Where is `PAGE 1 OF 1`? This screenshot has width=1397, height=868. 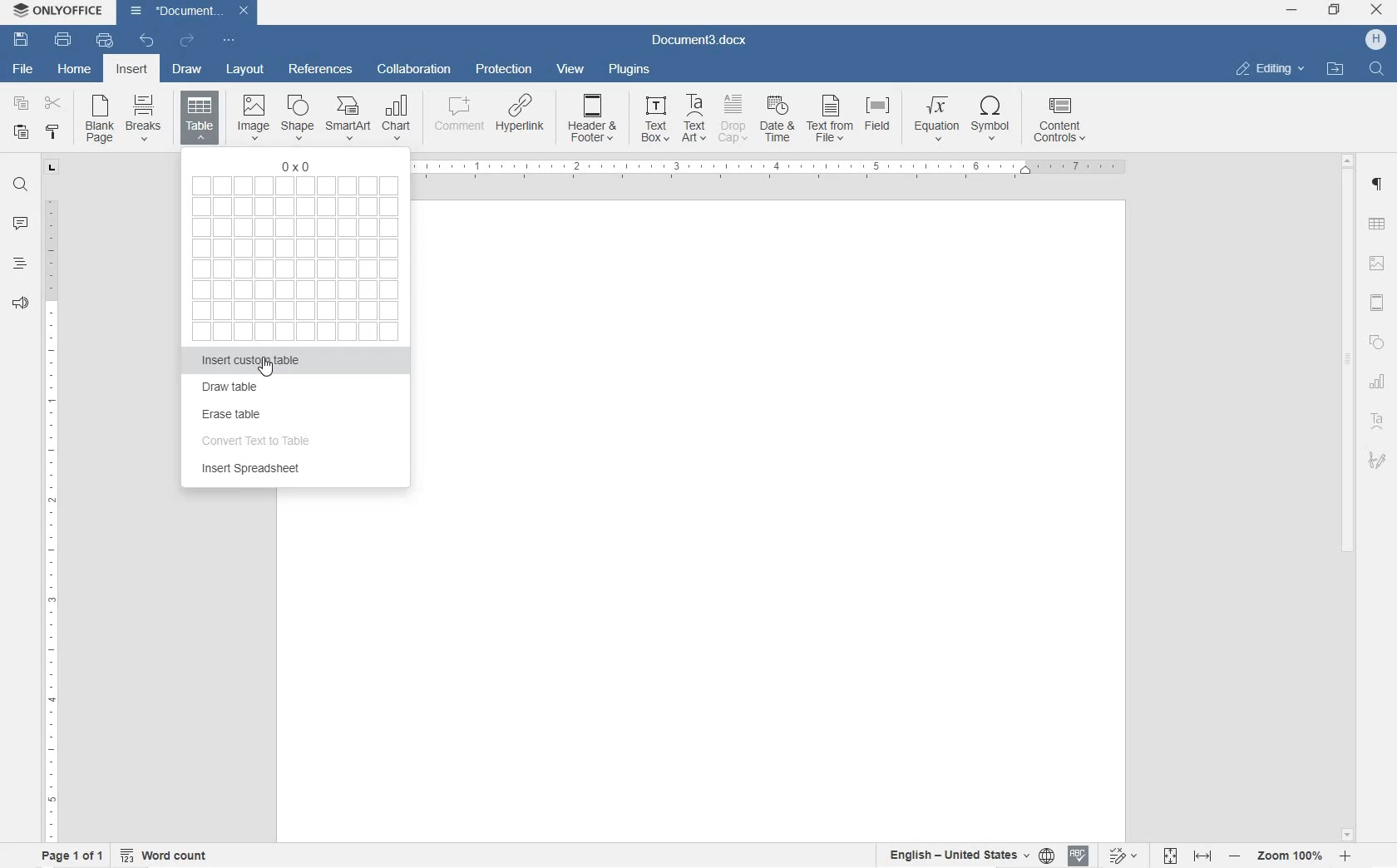 PAGE 1 OF 1 is located at coordinates (68, 856).